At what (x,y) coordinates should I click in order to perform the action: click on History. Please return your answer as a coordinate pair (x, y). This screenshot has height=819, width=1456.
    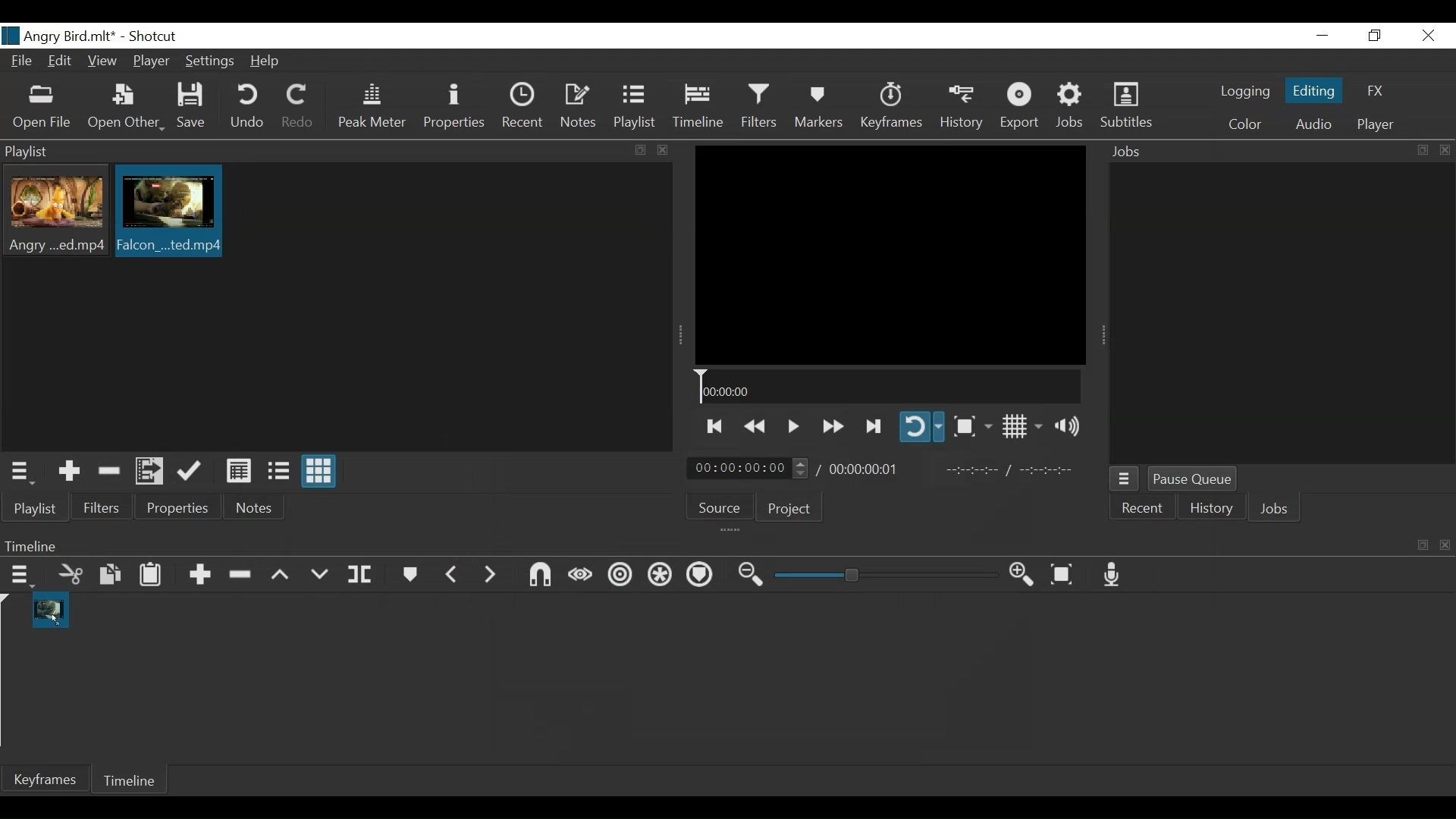
    Looking at the image, I should click on (962, 107).